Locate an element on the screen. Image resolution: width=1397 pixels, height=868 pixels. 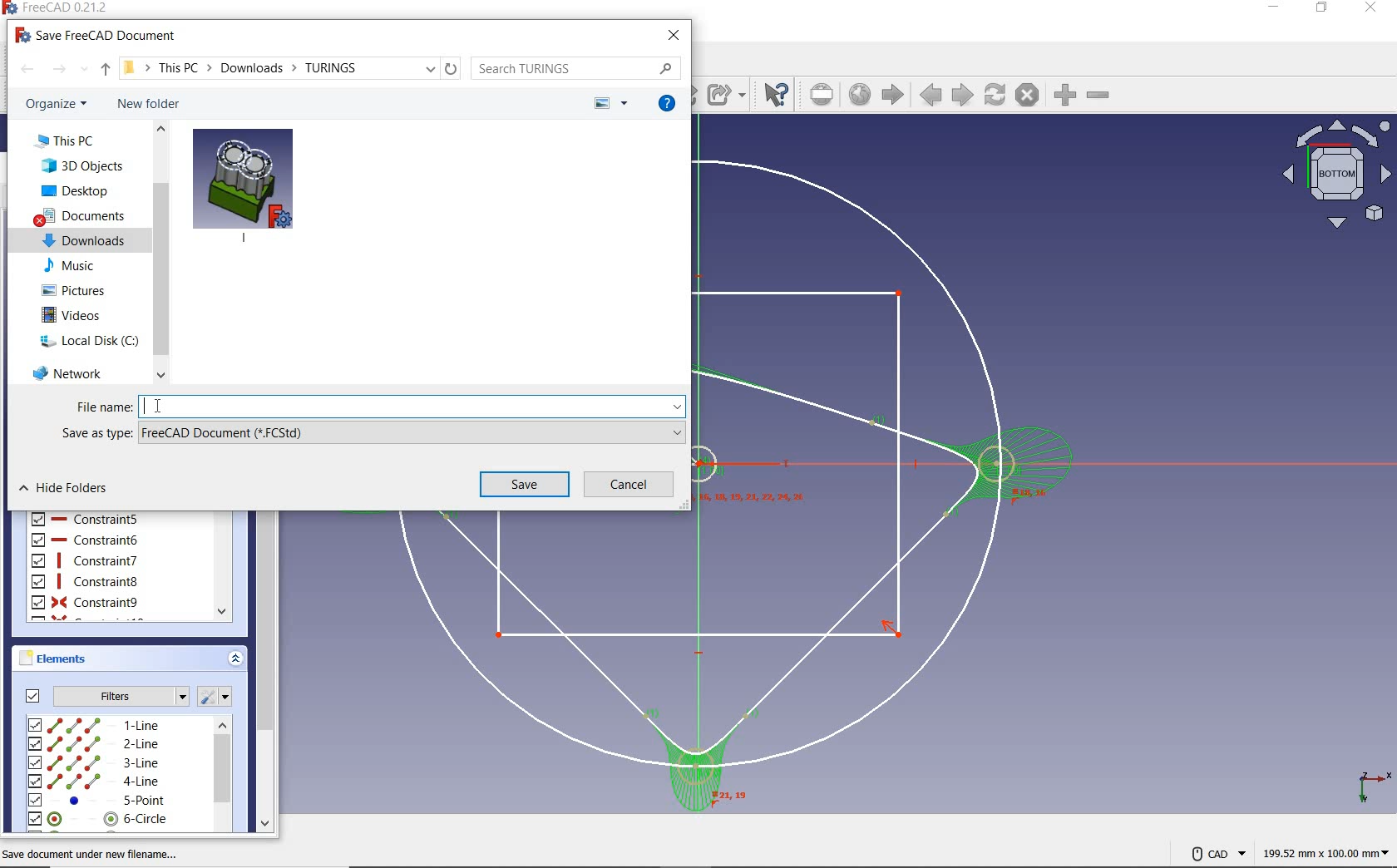
2-line is located at coordinates (94, 744).